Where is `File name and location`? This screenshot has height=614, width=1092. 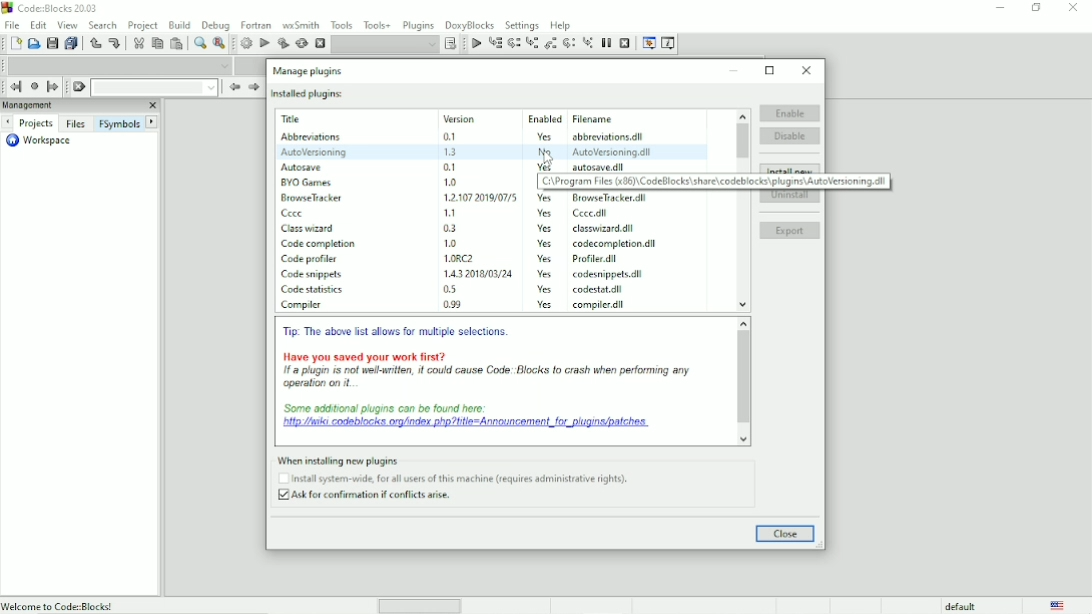
File name and location is located at coordinates (716, 182).